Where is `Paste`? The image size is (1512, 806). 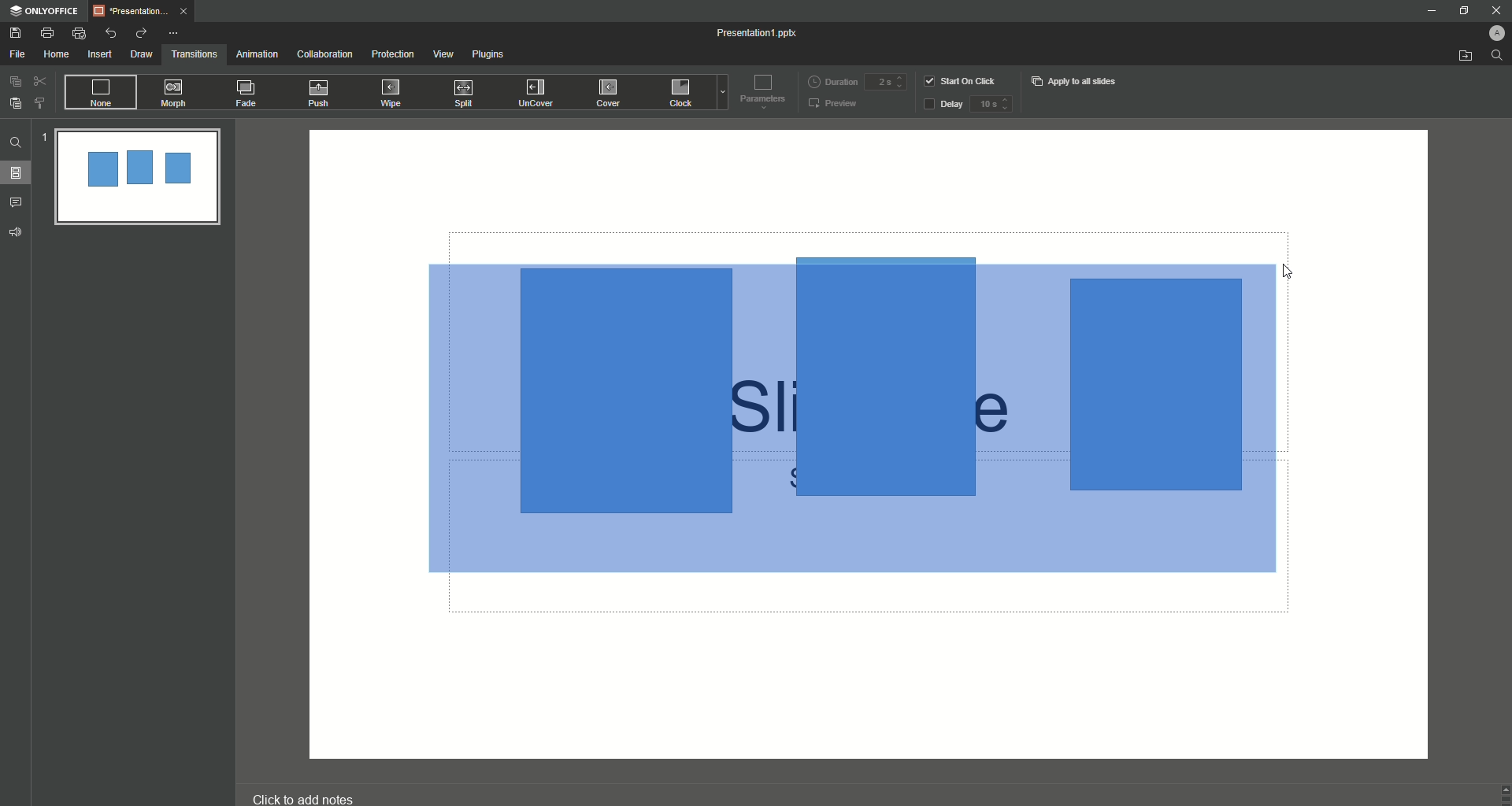
Paste is located at coordinates (16, 103).